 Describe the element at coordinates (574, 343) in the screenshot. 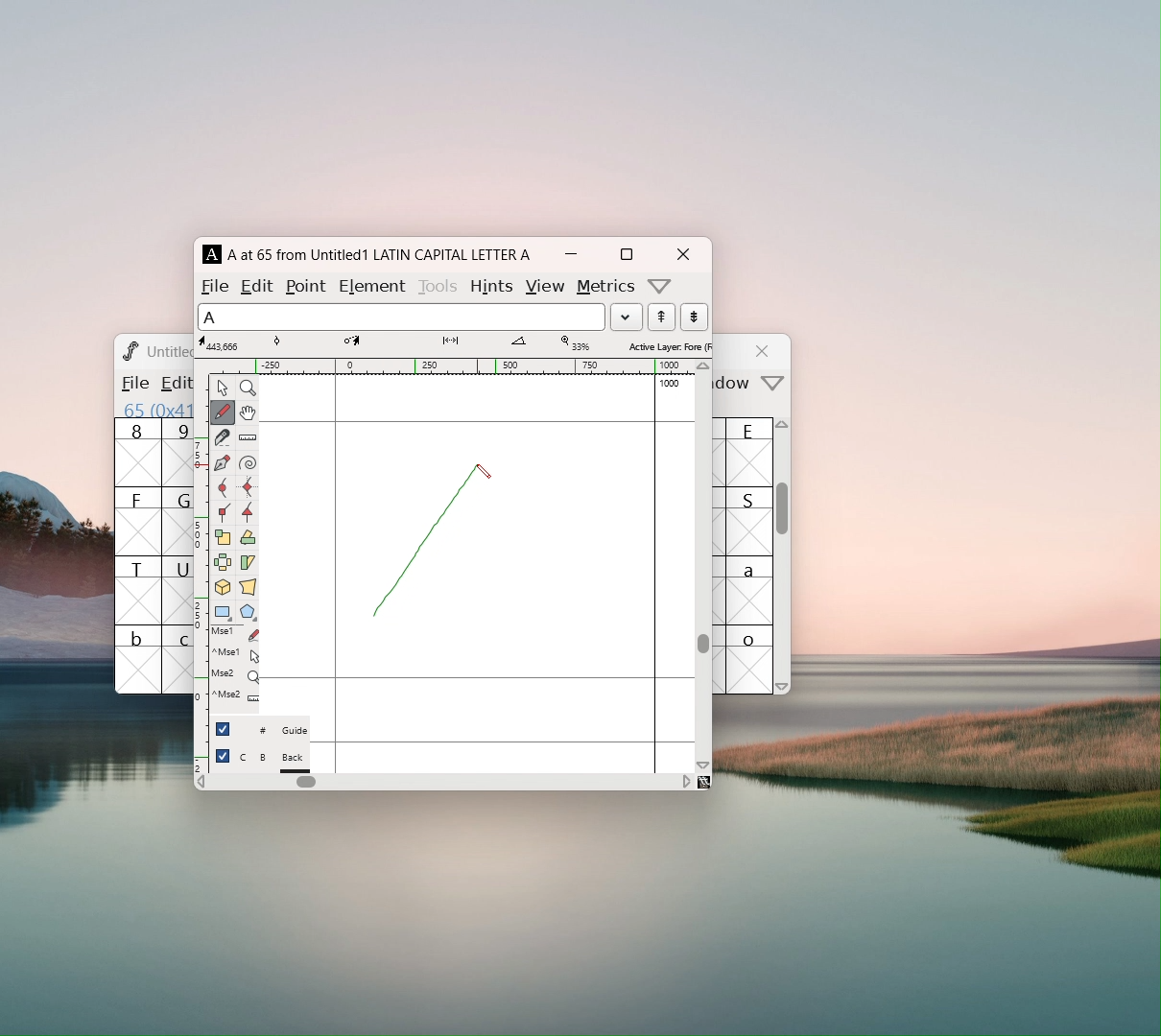

I see `level of maginification` at that location.